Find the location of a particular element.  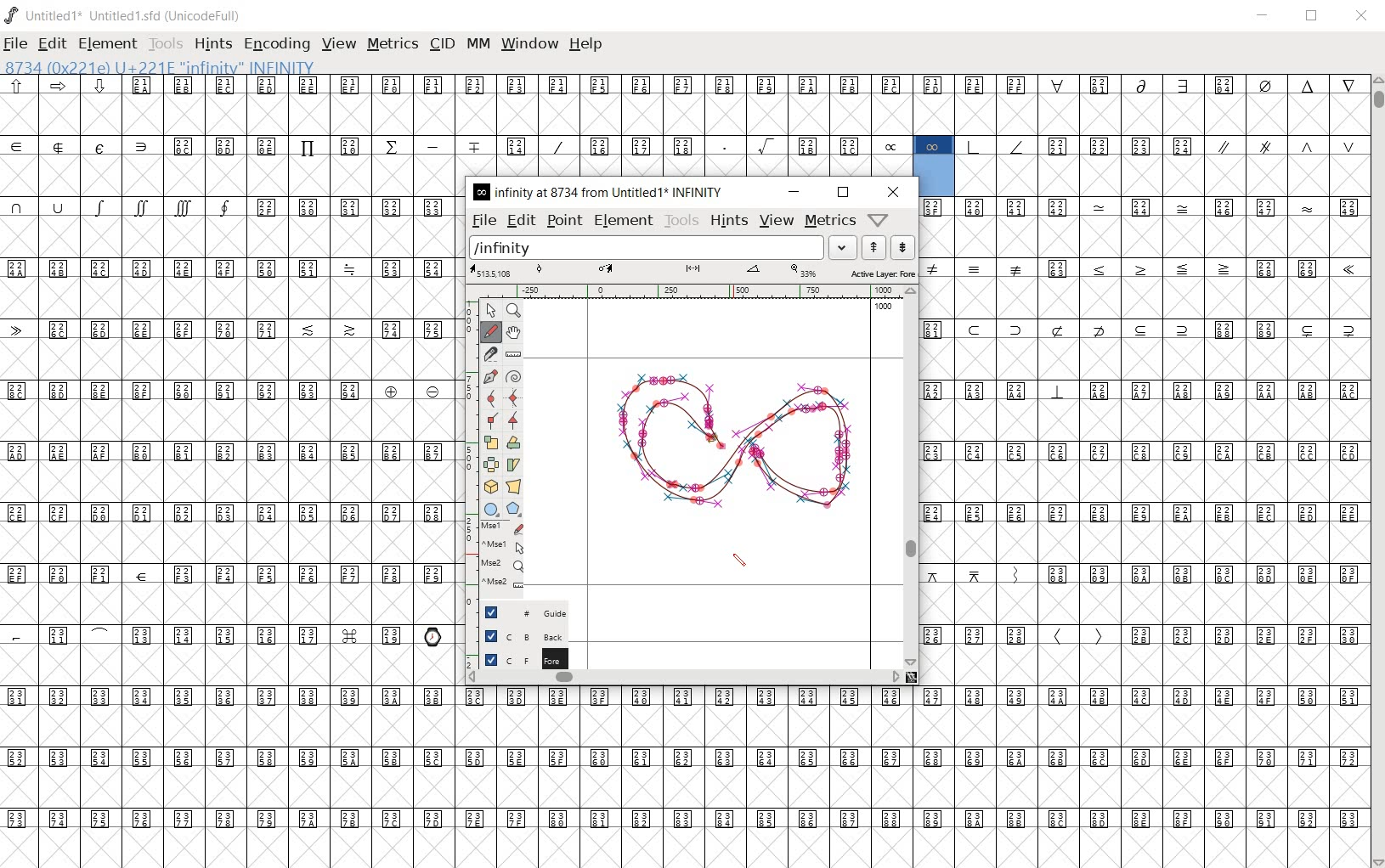

symbols is located at coordinates (1165, 269).